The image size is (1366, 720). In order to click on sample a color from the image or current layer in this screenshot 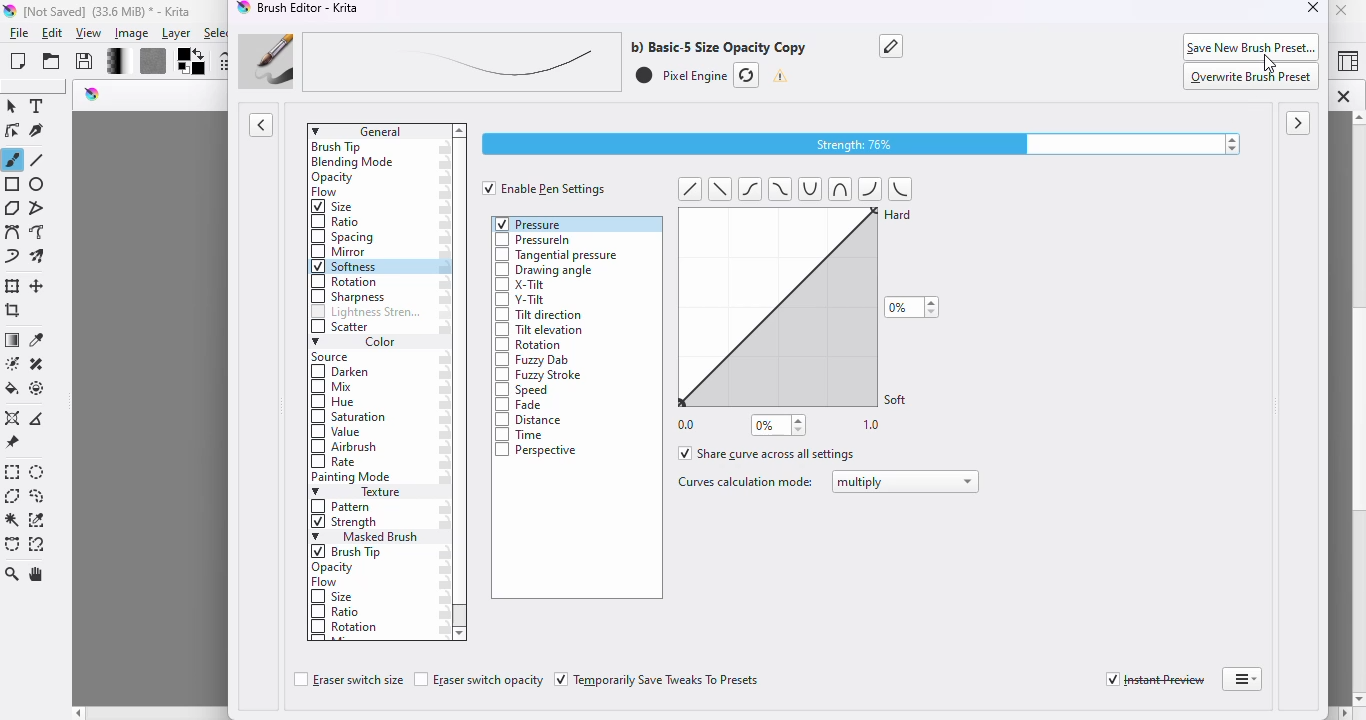, I will do `click(37, 339)`.